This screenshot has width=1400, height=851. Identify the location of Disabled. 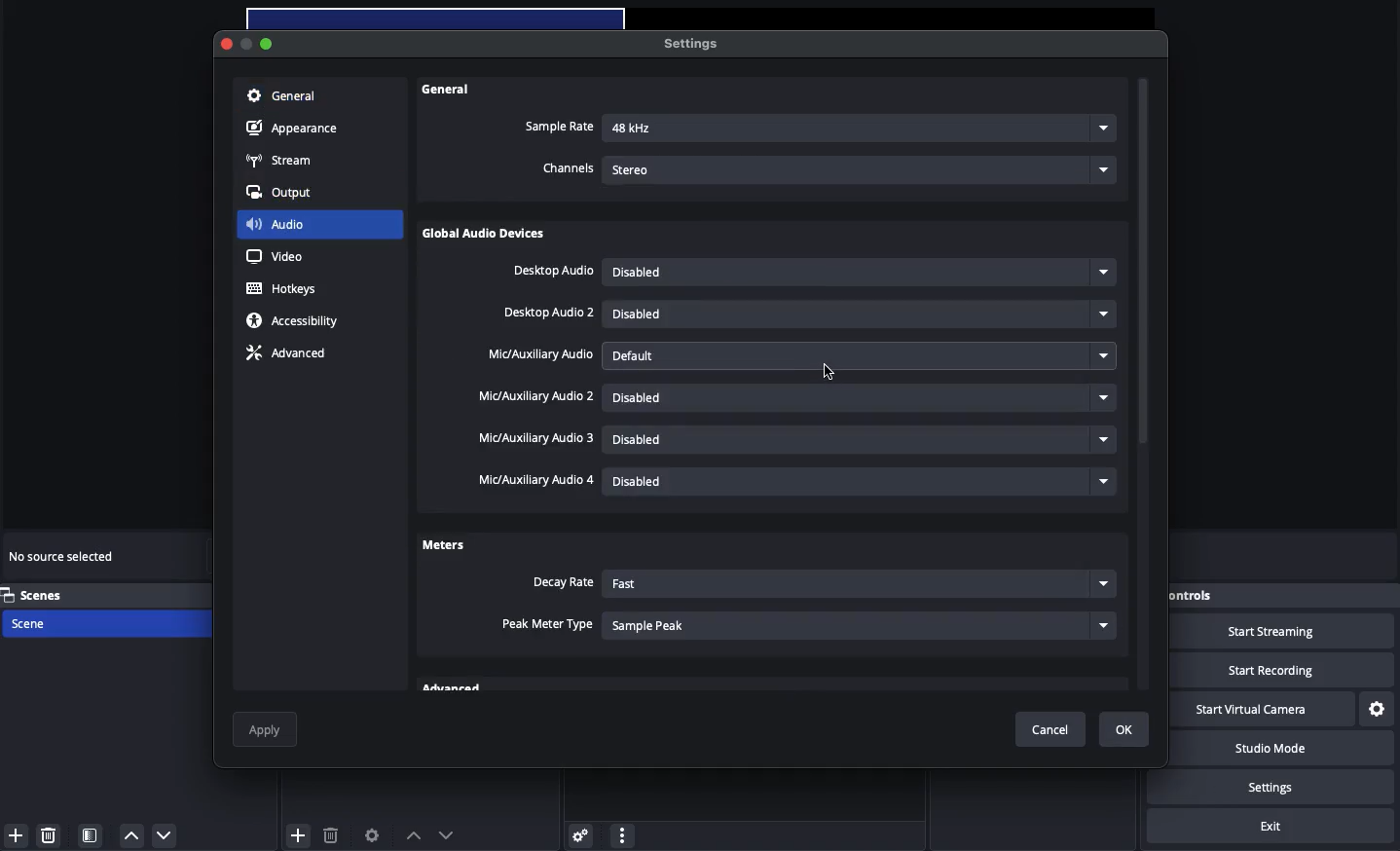
(862, 442).